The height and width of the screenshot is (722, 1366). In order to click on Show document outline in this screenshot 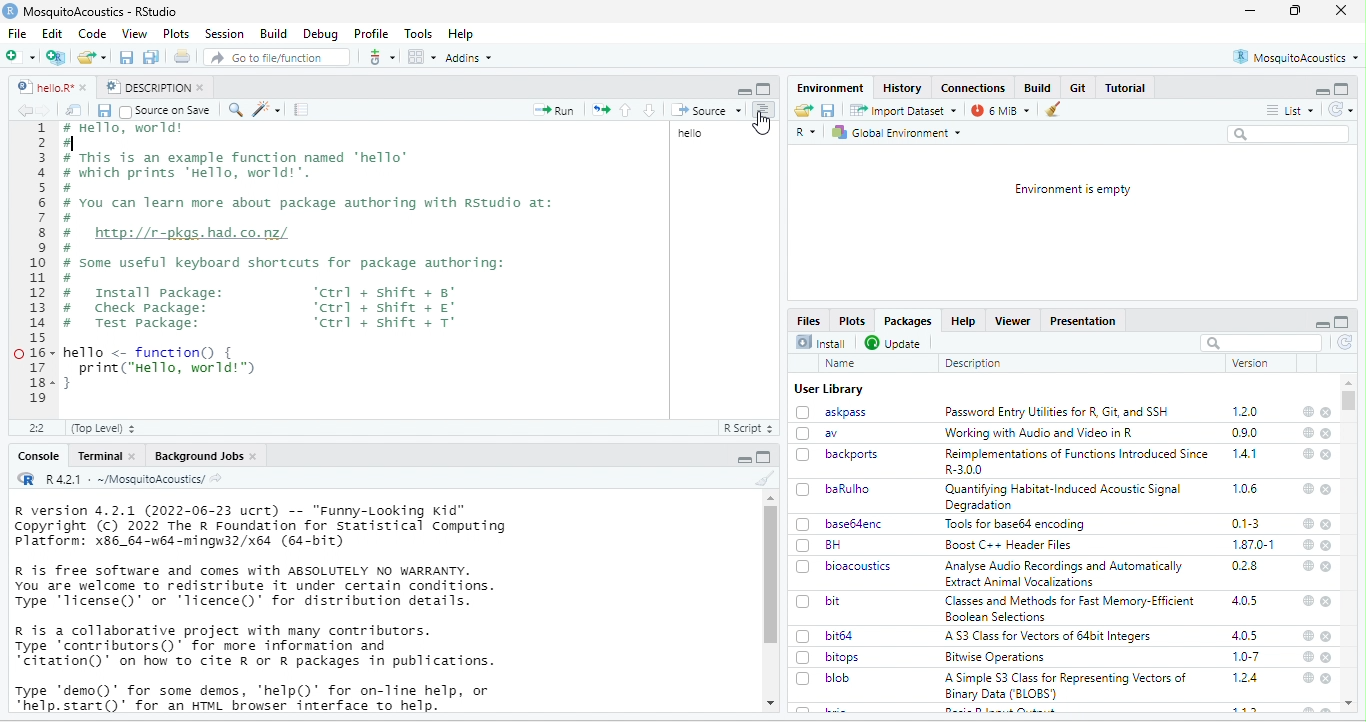, I will do `click(766, 110)`.